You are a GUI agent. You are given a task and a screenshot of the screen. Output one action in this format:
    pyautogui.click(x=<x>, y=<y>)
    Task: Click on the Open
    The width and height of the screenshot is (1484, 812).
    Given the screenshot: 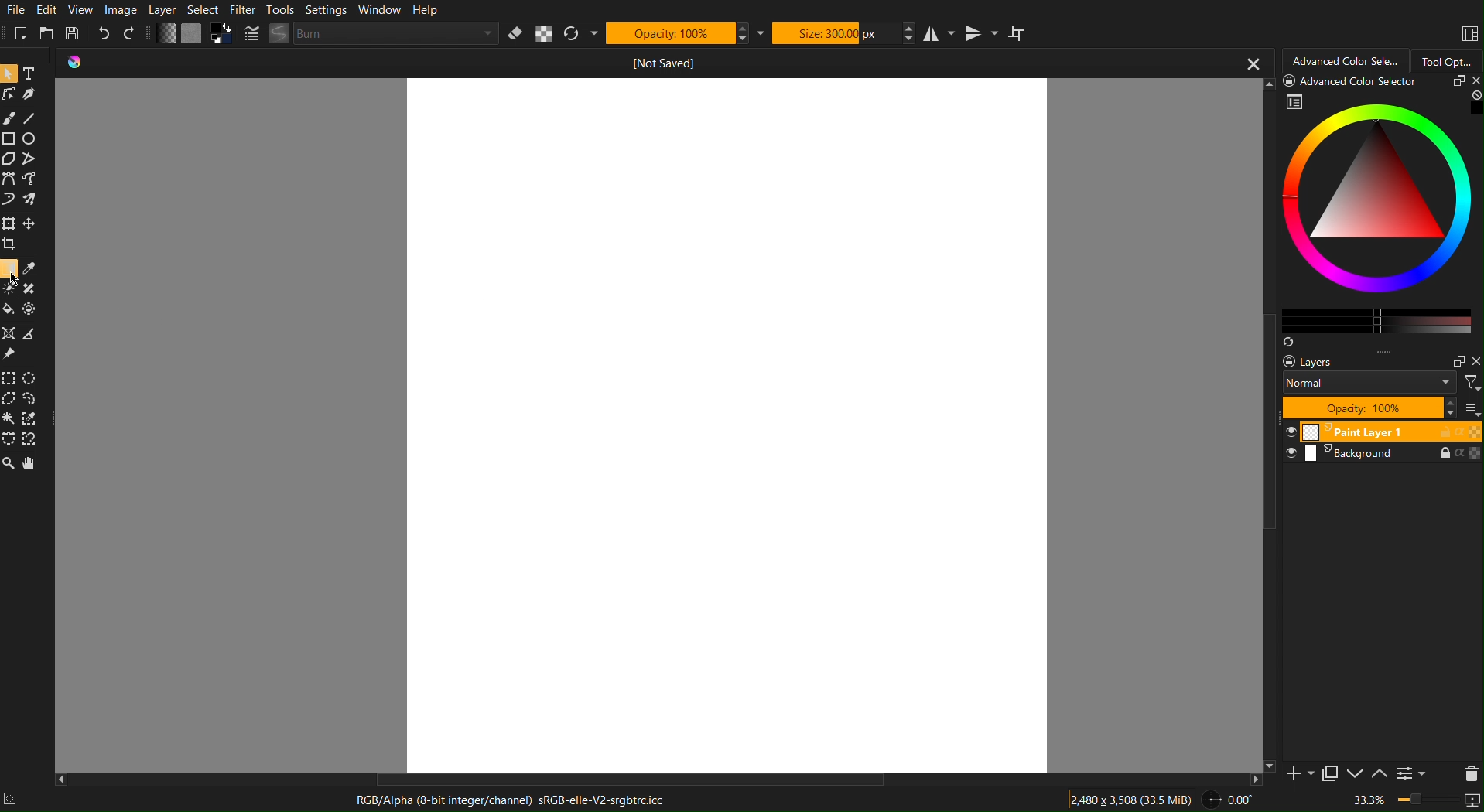 What is the action you would take?
    pyautogui.click(x=48, y=34)
    